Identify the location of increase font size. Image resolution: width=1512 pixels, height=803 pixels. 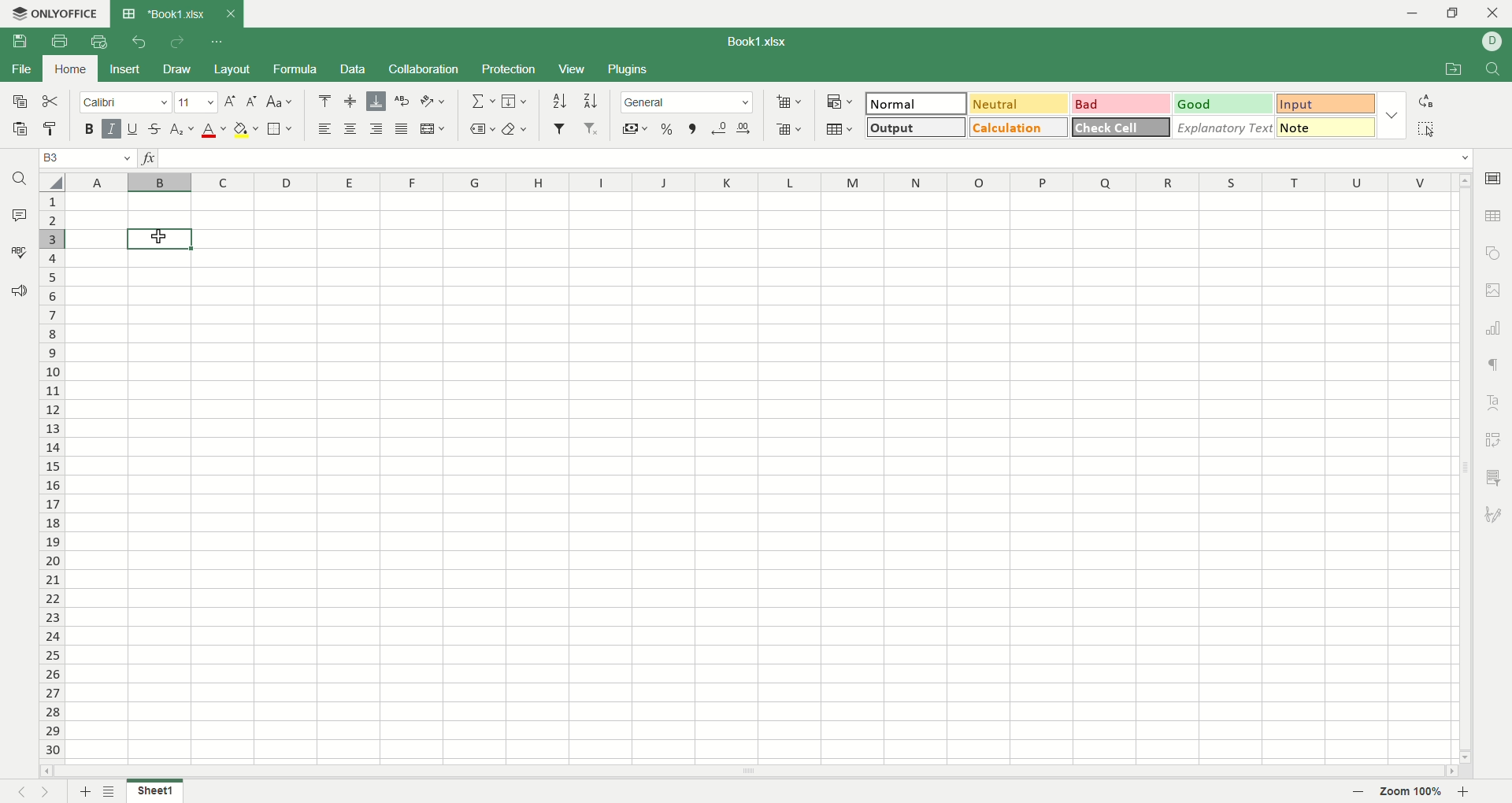
(231, 102).